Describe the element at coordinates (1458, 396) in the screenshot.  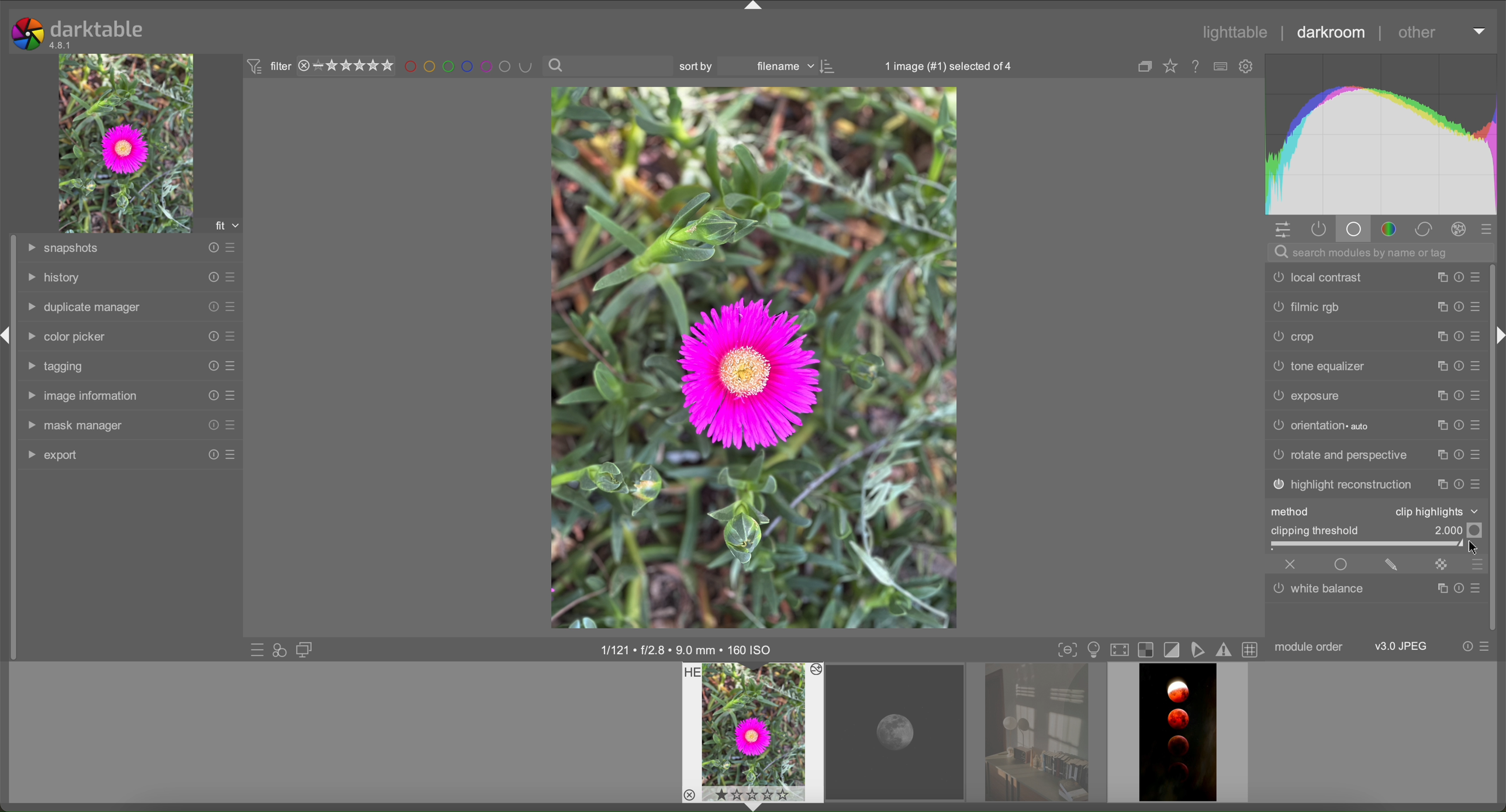
I see `reset presets` at that location.